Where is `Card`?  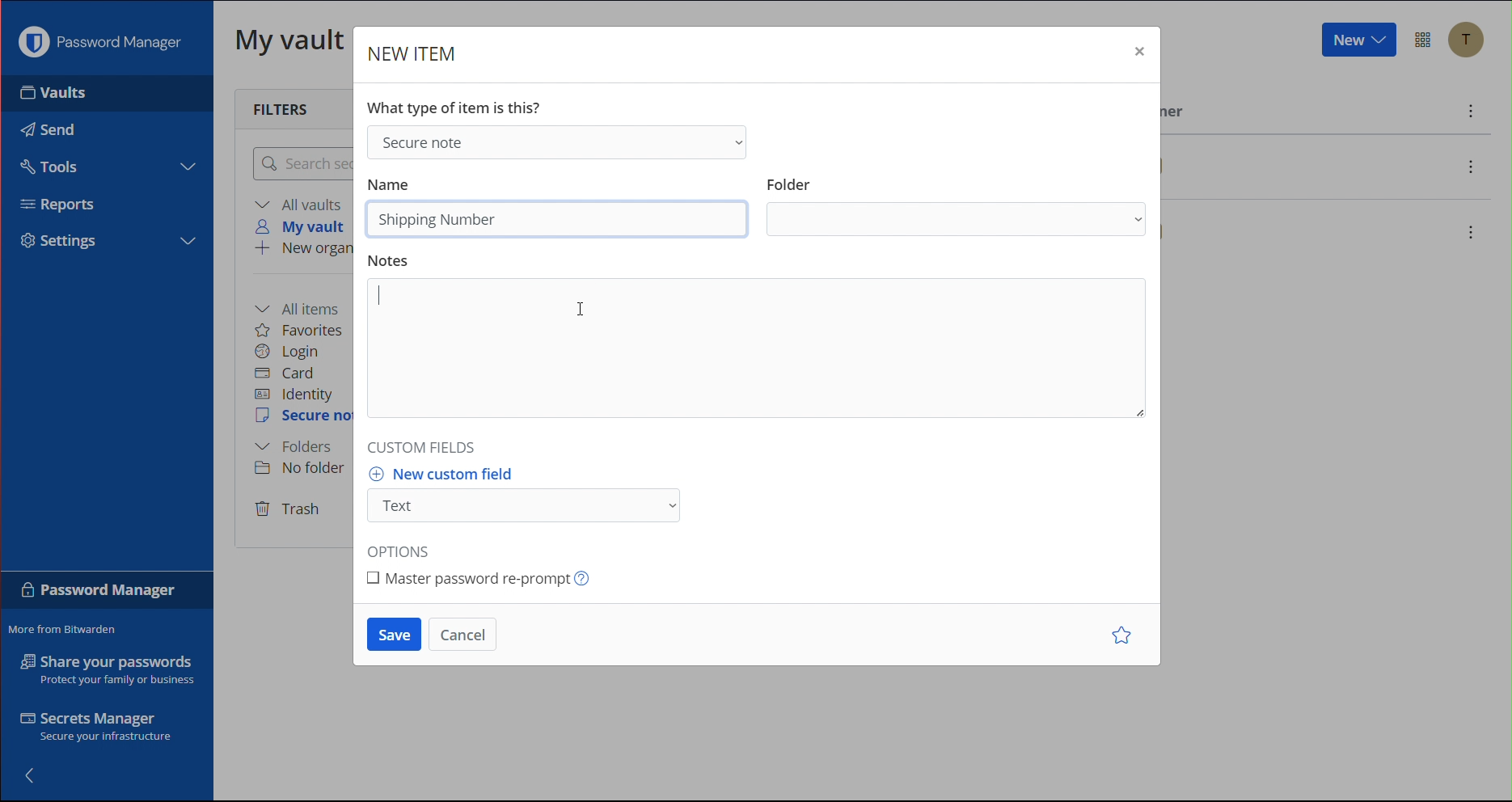 Card is located at coordinates (294, 373).